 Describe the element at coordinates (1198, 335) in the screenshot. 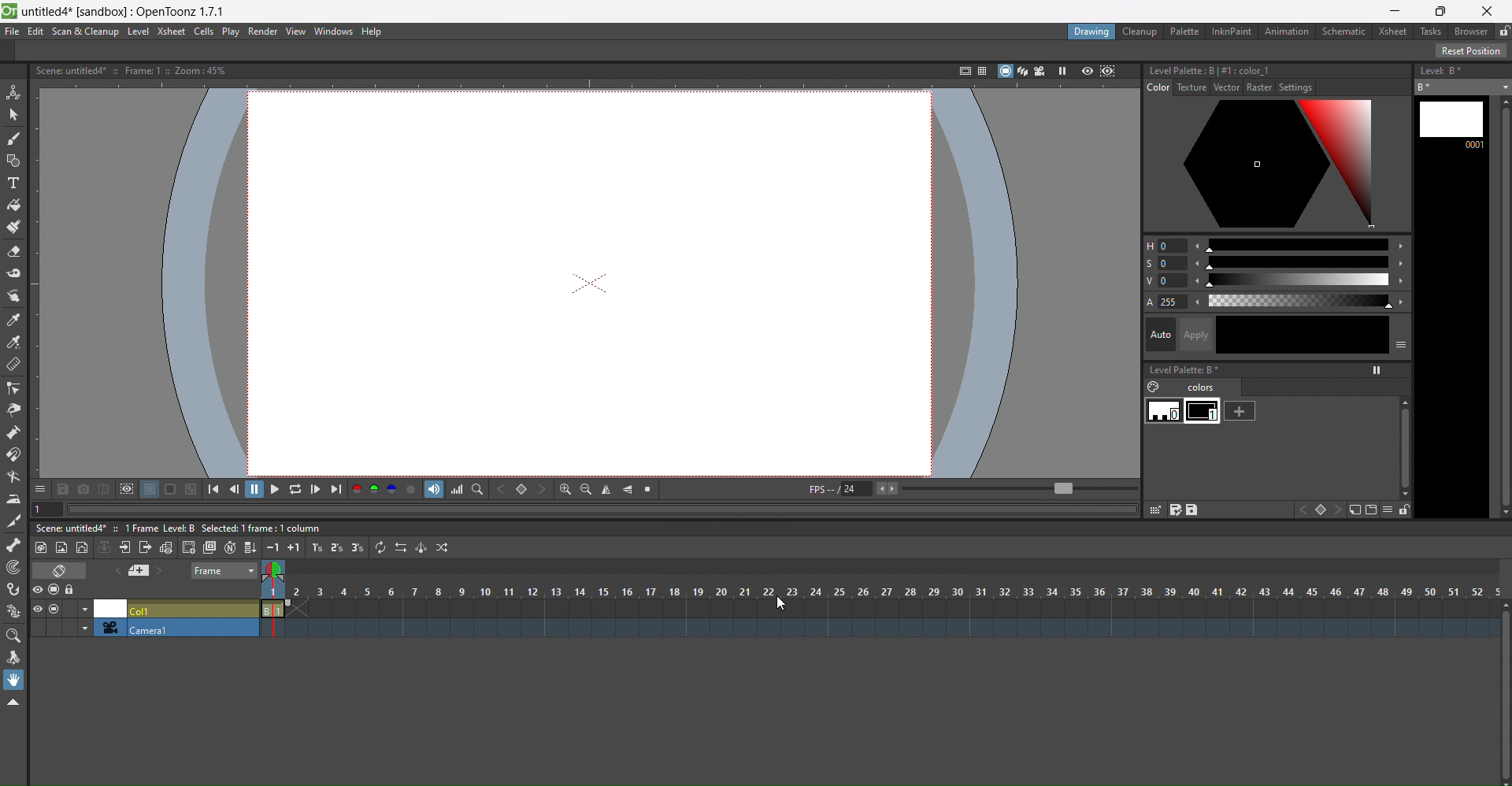

I see `apply` at that location.